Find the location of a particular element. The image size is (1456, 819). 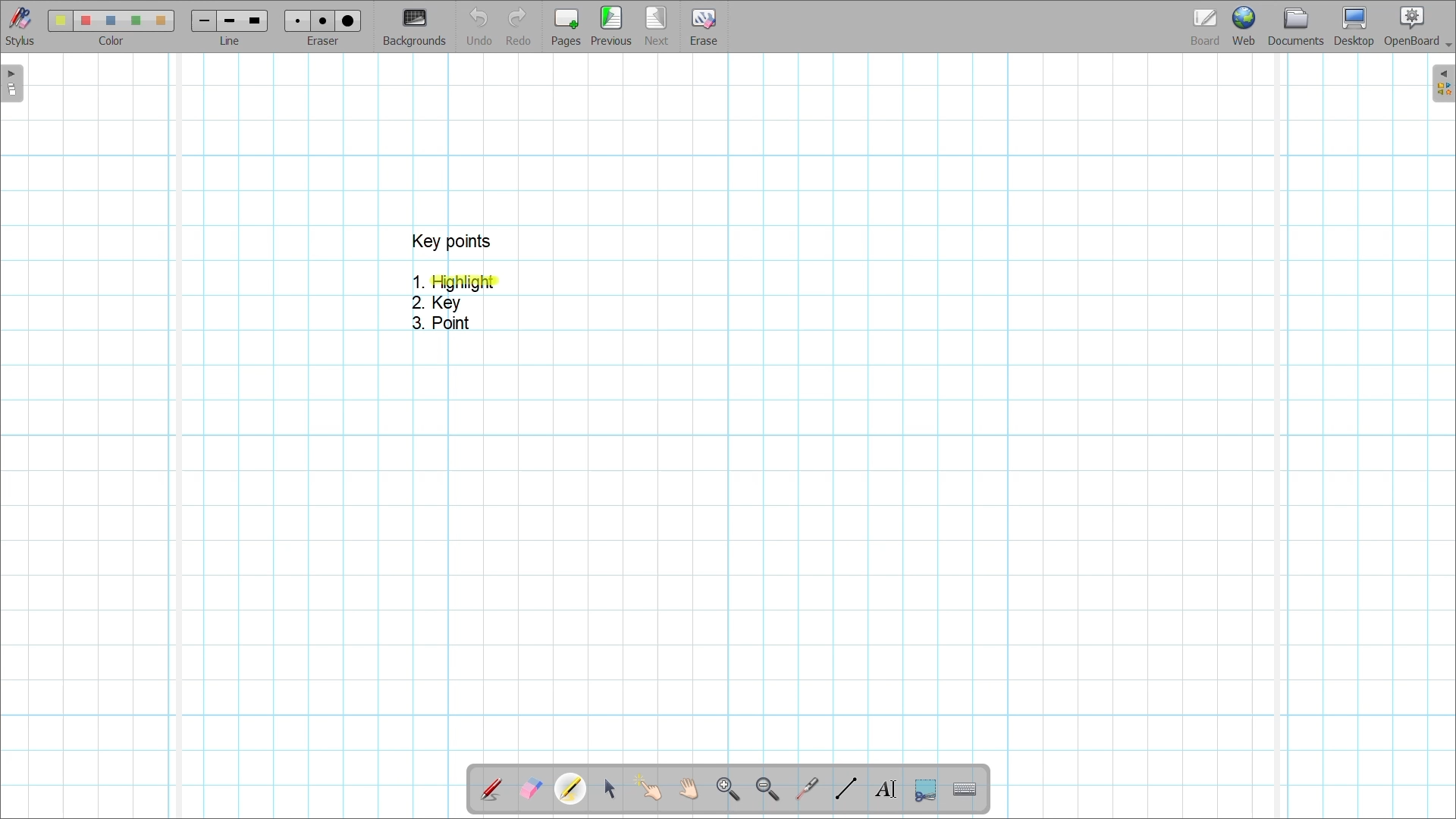

Left sidebar is located at coordinates (12, 83).